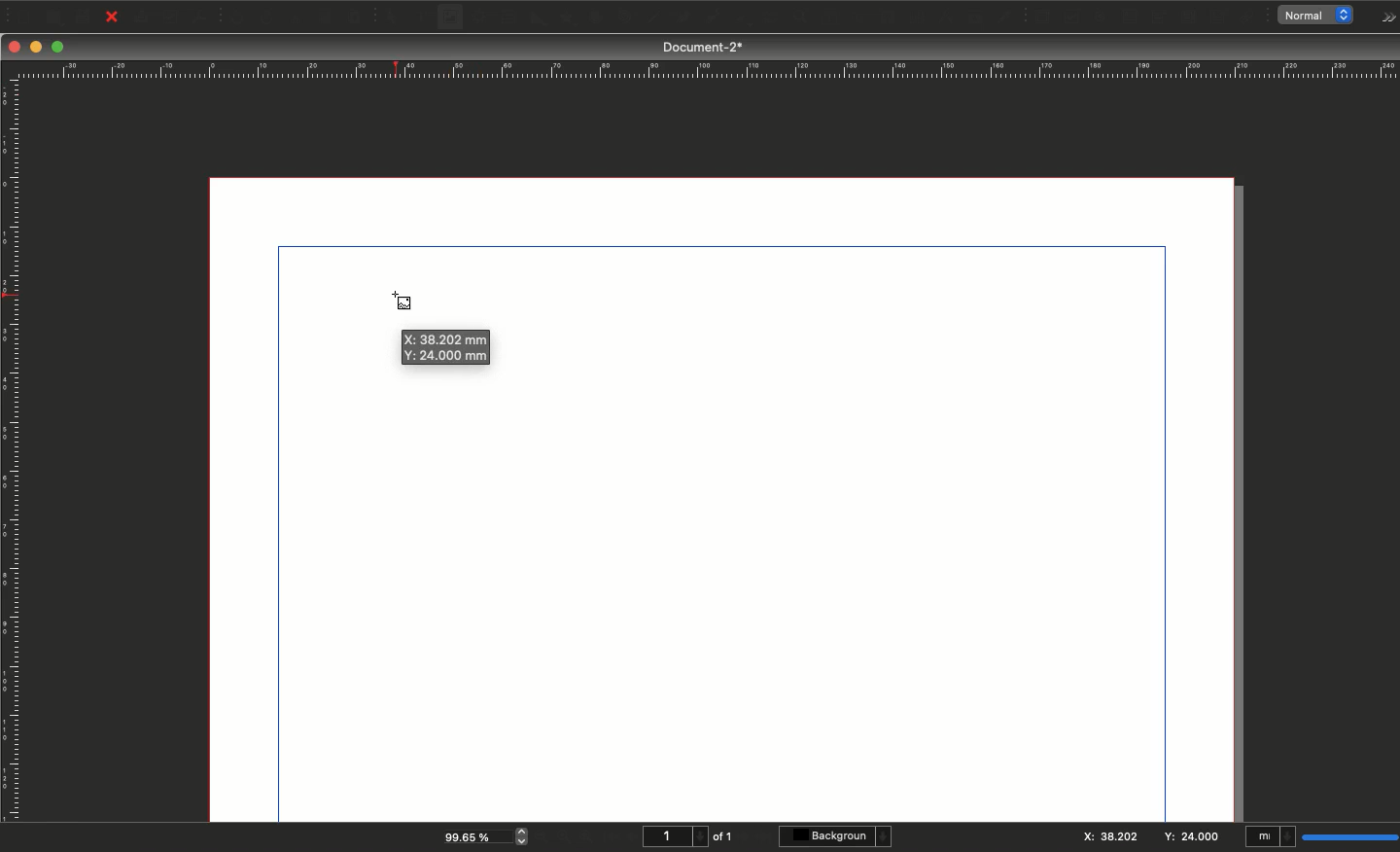 Image resolution: width=1400 pixels, height=852 pixels. Describe the element at coordinates (705, 70) in the screenshot. I see `Ruler` at that location.